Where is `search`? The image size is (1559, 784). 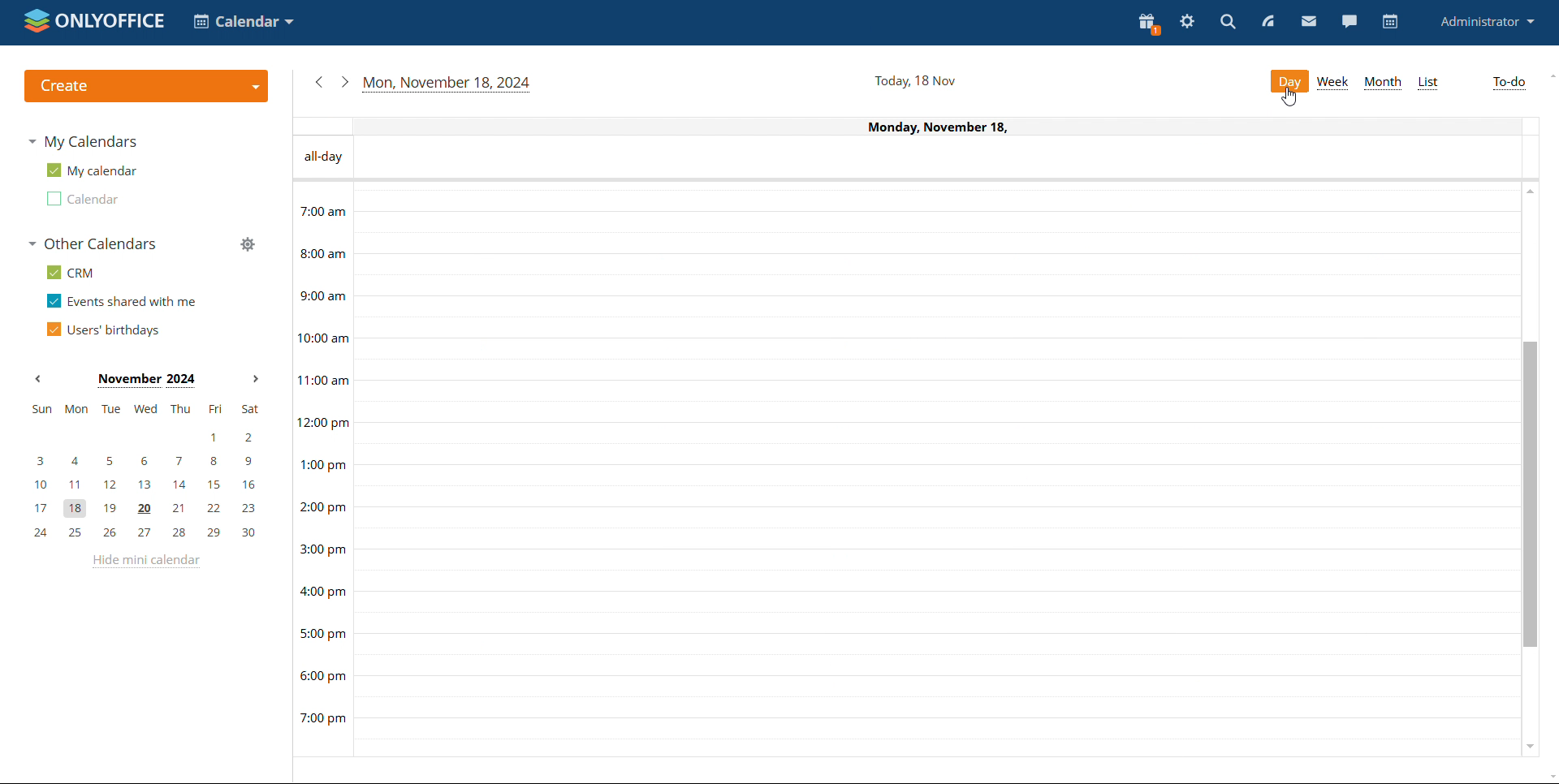 search is located at coordinates (1227, 22).